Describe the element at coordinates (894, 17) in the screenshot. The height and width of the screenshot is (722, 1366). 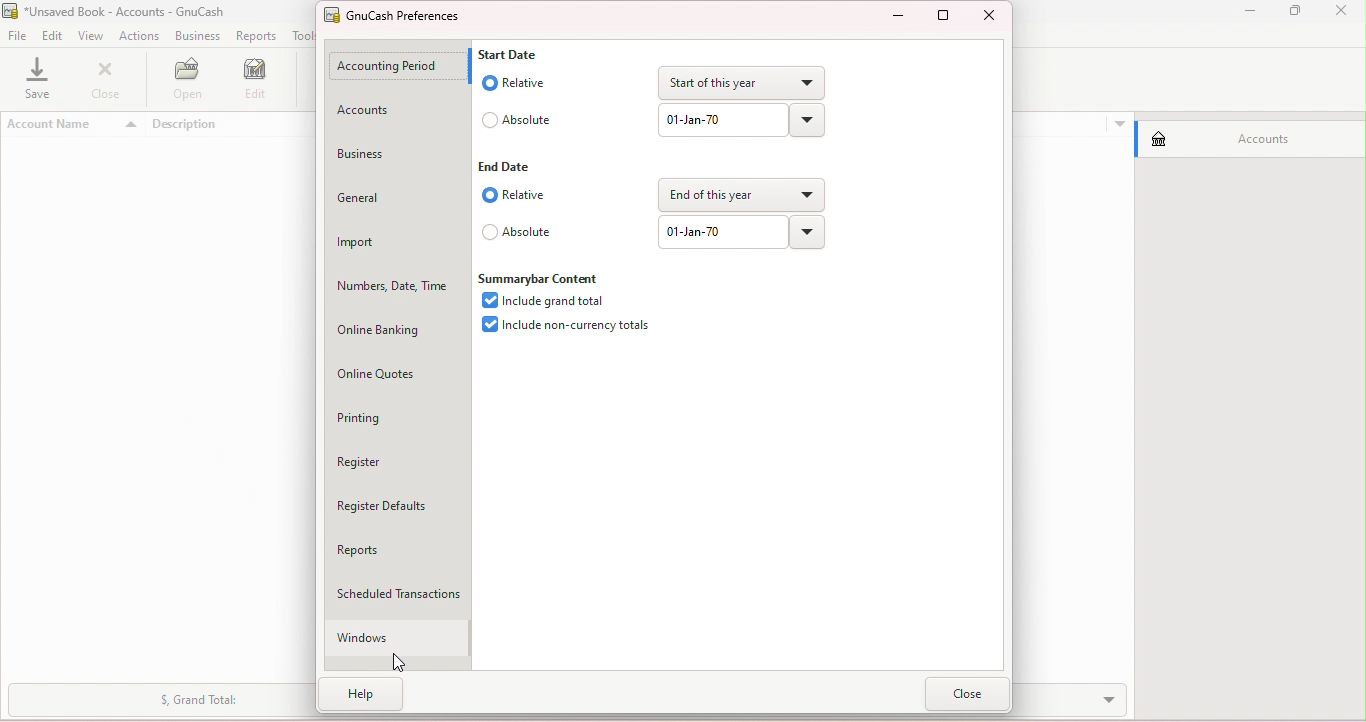
I see `Minimize` at that location.